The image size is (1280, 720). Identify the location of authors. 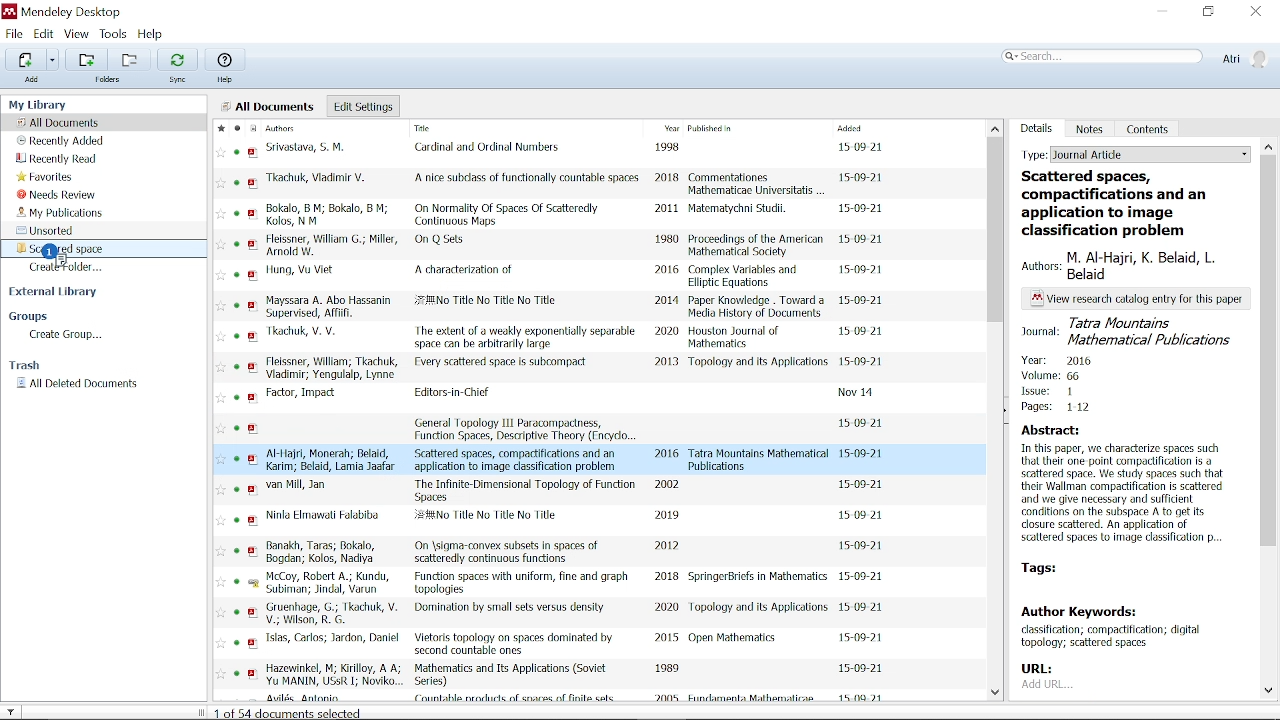
(1135, 266).